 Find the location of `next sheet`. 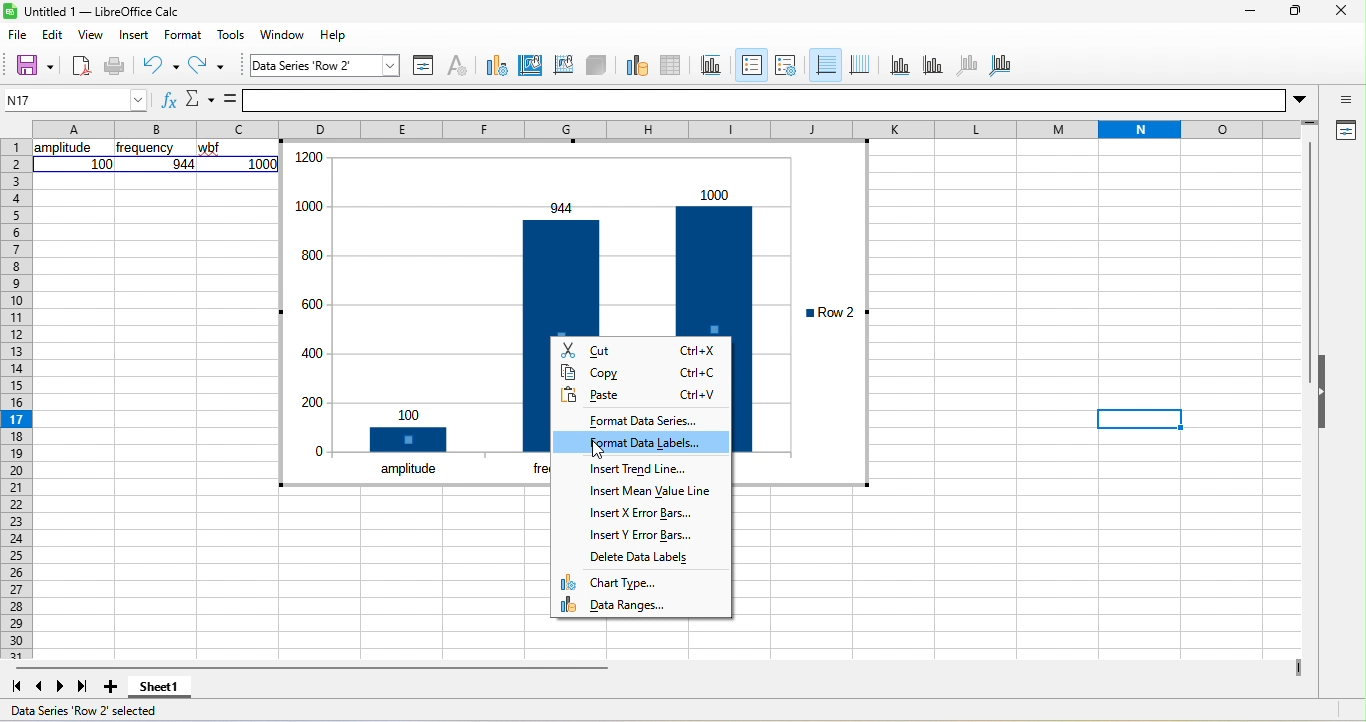

next sheet is located at coordinates (62, 685).